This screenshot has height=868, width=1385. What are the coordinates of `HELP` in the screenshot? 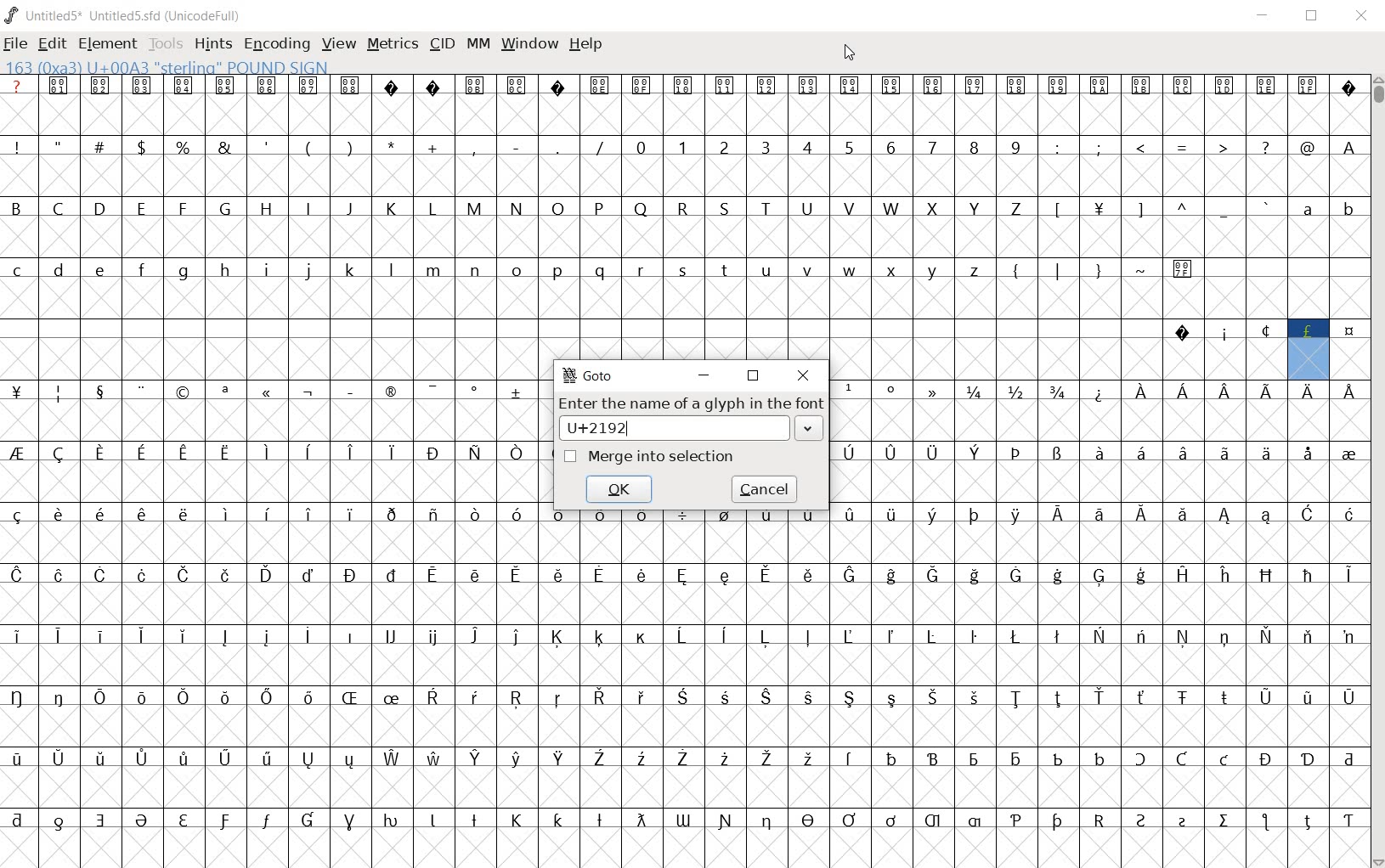 It's located at (590, 45).